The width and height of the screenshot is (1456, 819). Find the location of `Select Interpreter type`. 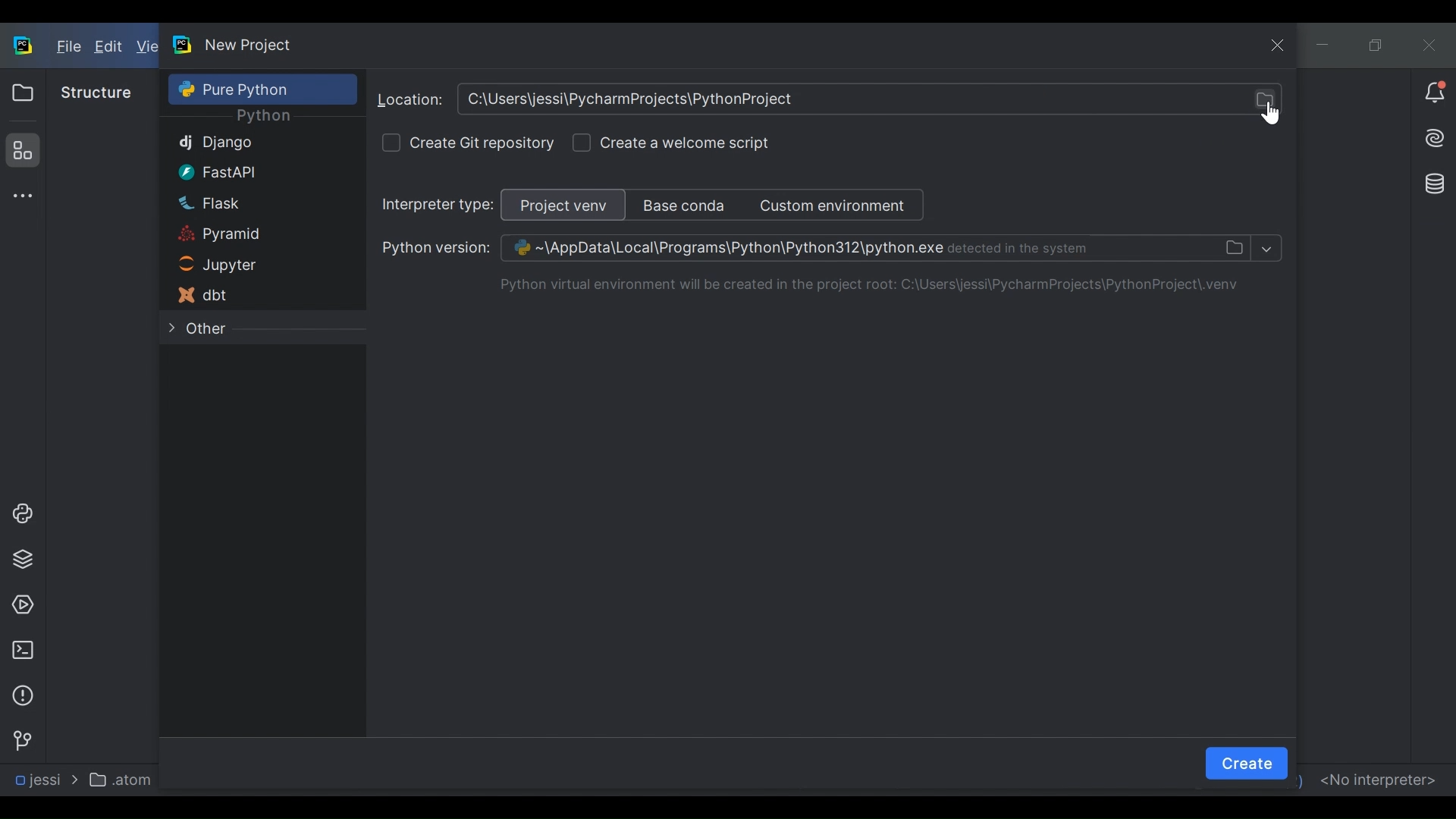

Select Interpreter type is located at coordinates (440, 206).